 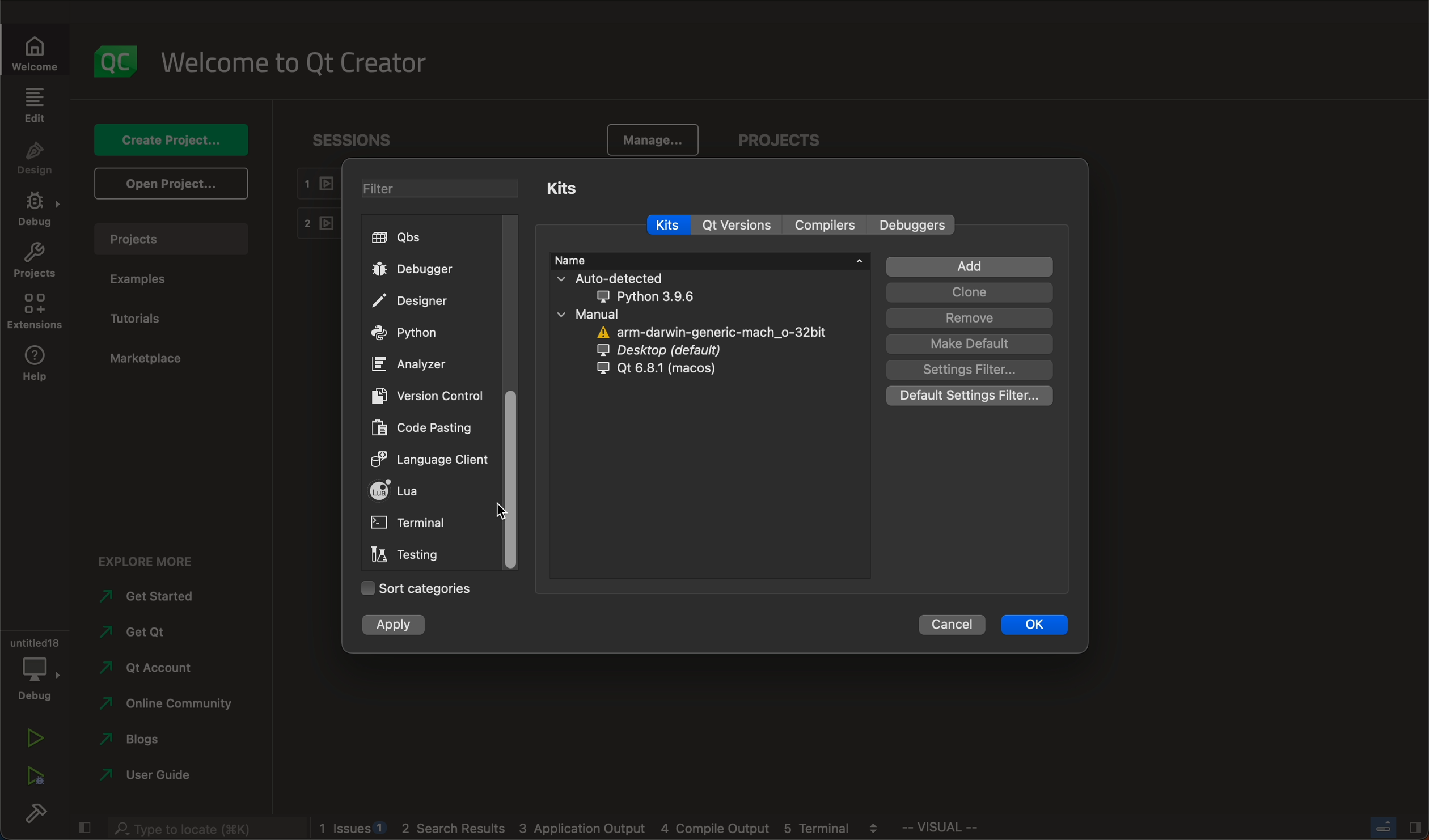 What do you see at coordinates (969, 268) in the screenshot?
I see `add` at bounding box center [969, 268].